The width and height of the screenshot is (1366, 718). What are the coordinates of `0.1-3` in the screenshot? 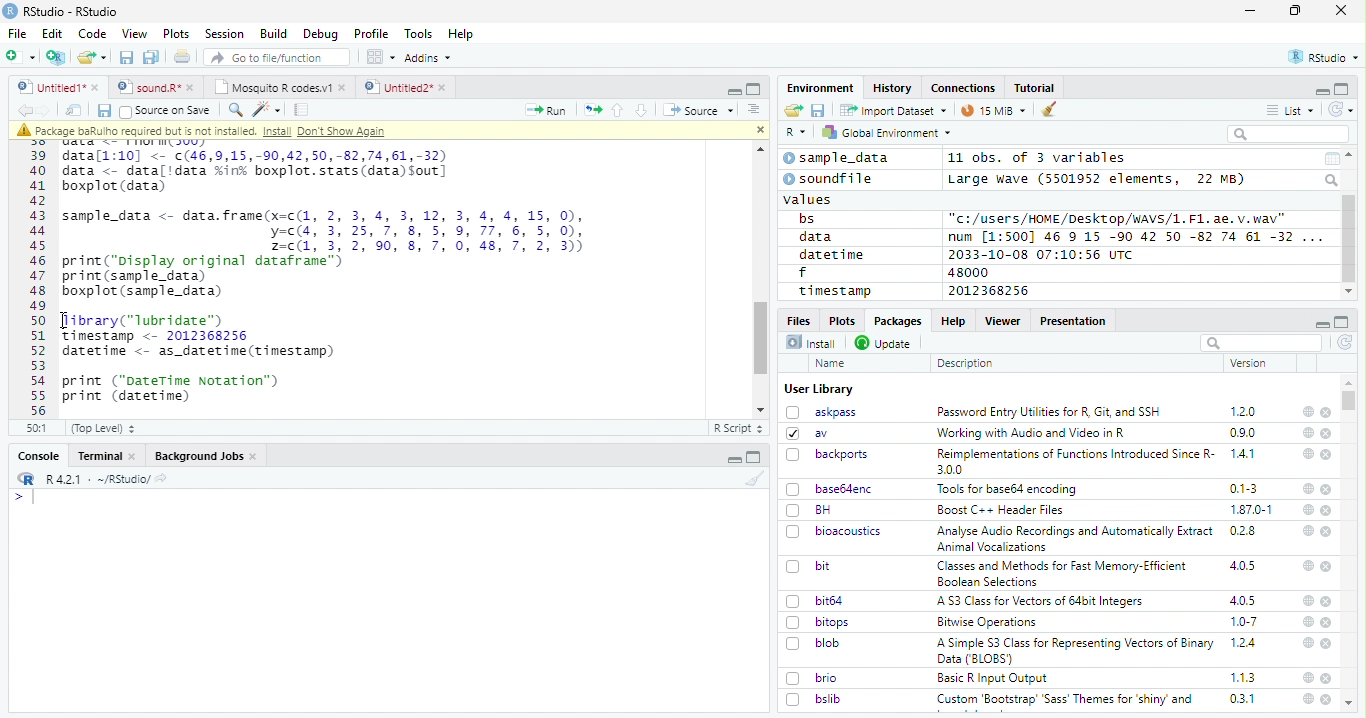 It's located at (1247, 488).